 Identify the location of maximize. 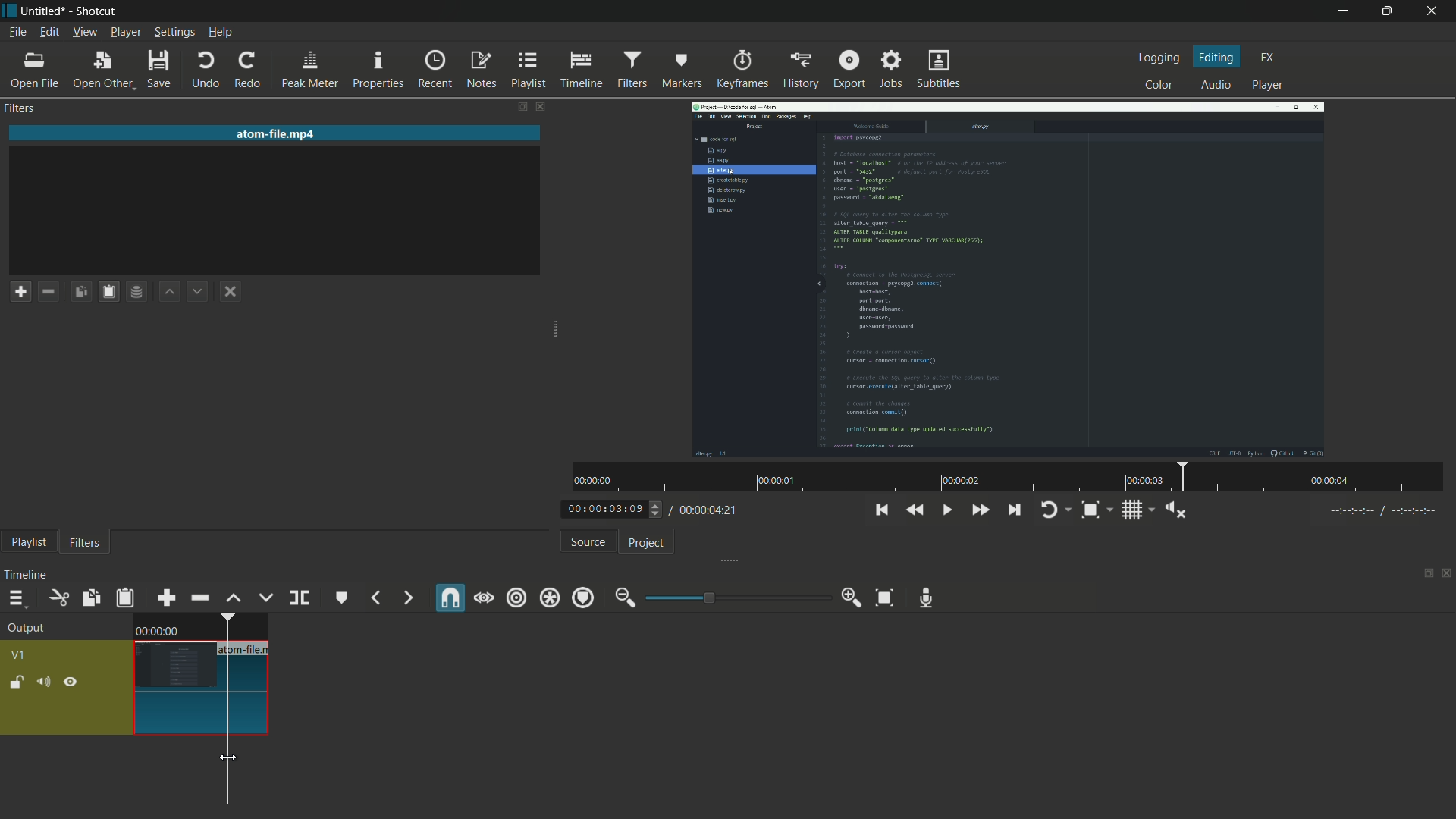
(1389, 11).